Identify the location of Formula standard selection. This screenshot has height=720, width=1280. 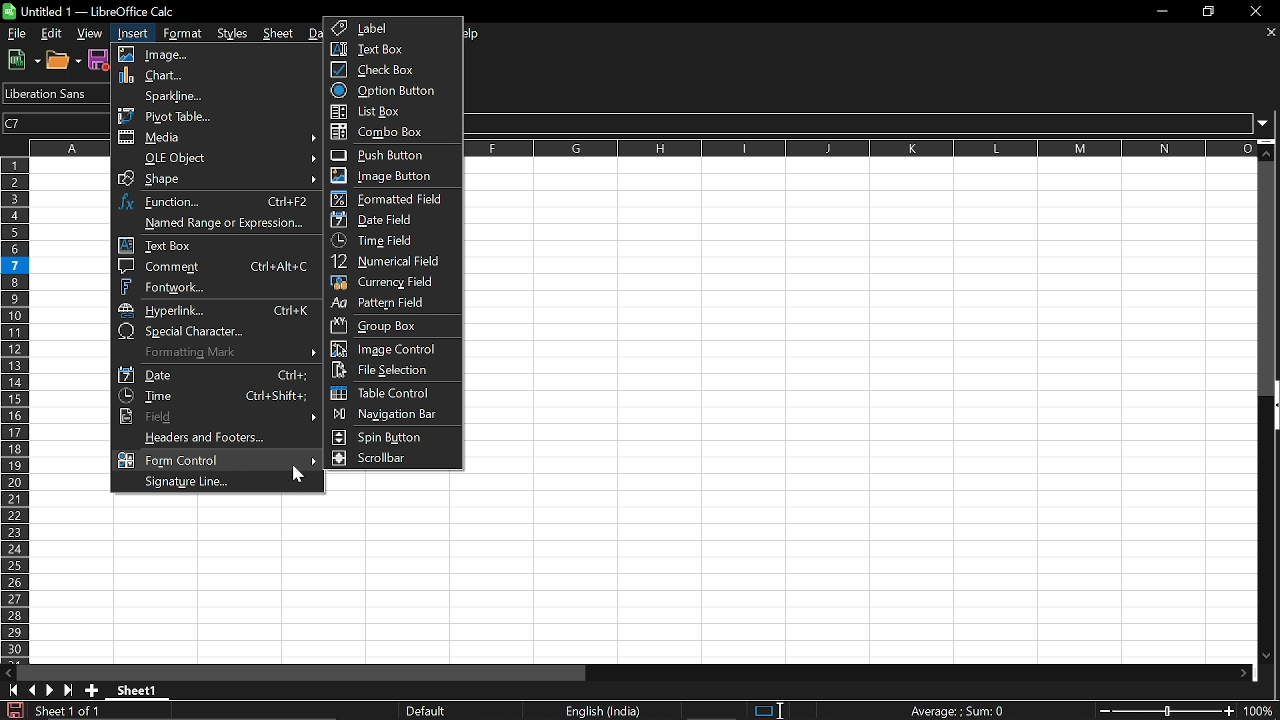
(960, 710).